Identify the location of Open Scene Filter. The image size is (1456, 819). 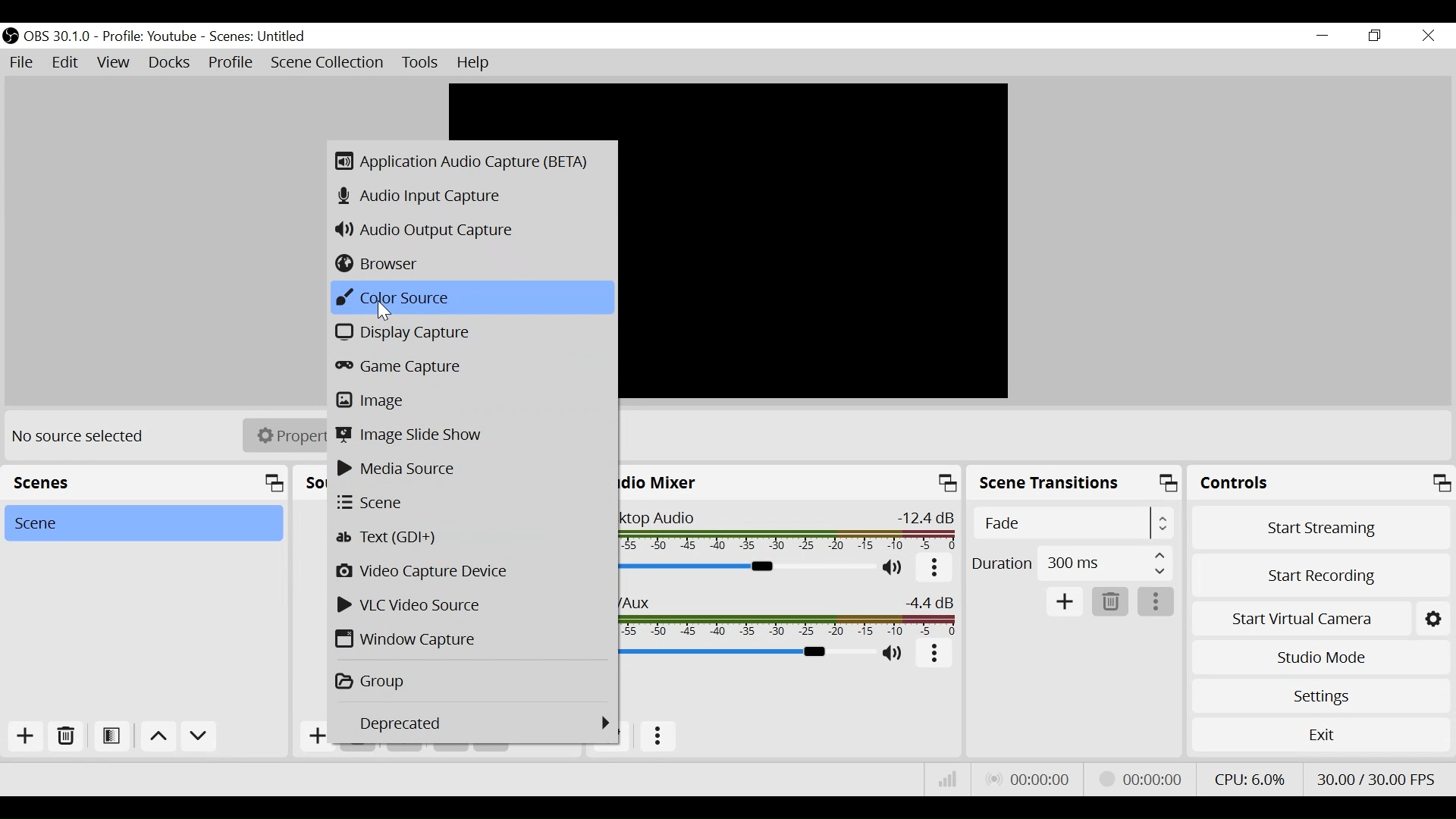
(110, 734).